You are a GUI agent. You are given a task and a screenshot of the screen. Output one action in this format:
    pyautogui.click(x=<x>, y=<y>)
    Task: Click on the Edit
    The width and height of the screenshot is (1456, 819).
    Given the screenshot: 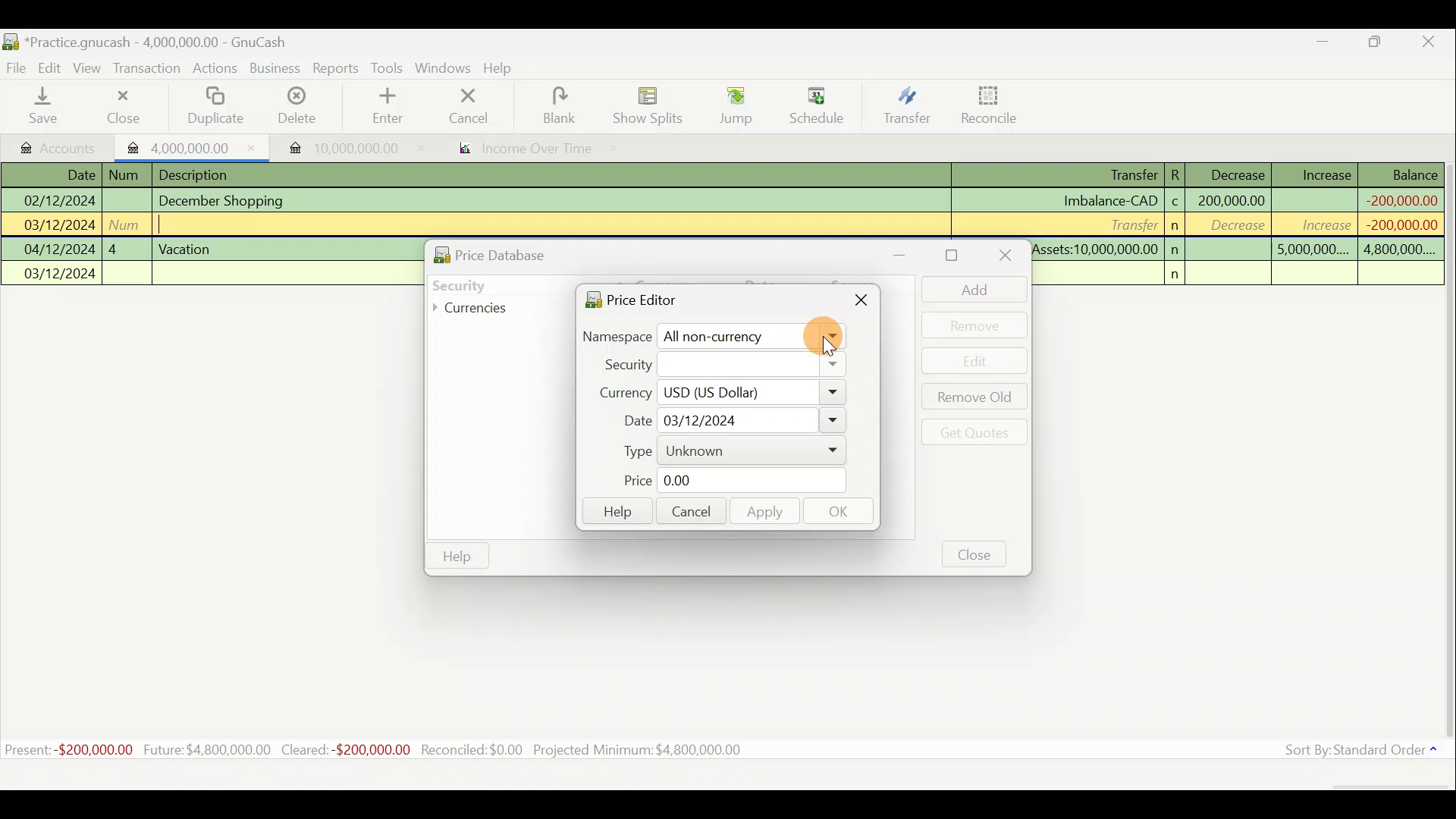 What is the action you would take?
    pyautogui.click(x=976, y=361)
    